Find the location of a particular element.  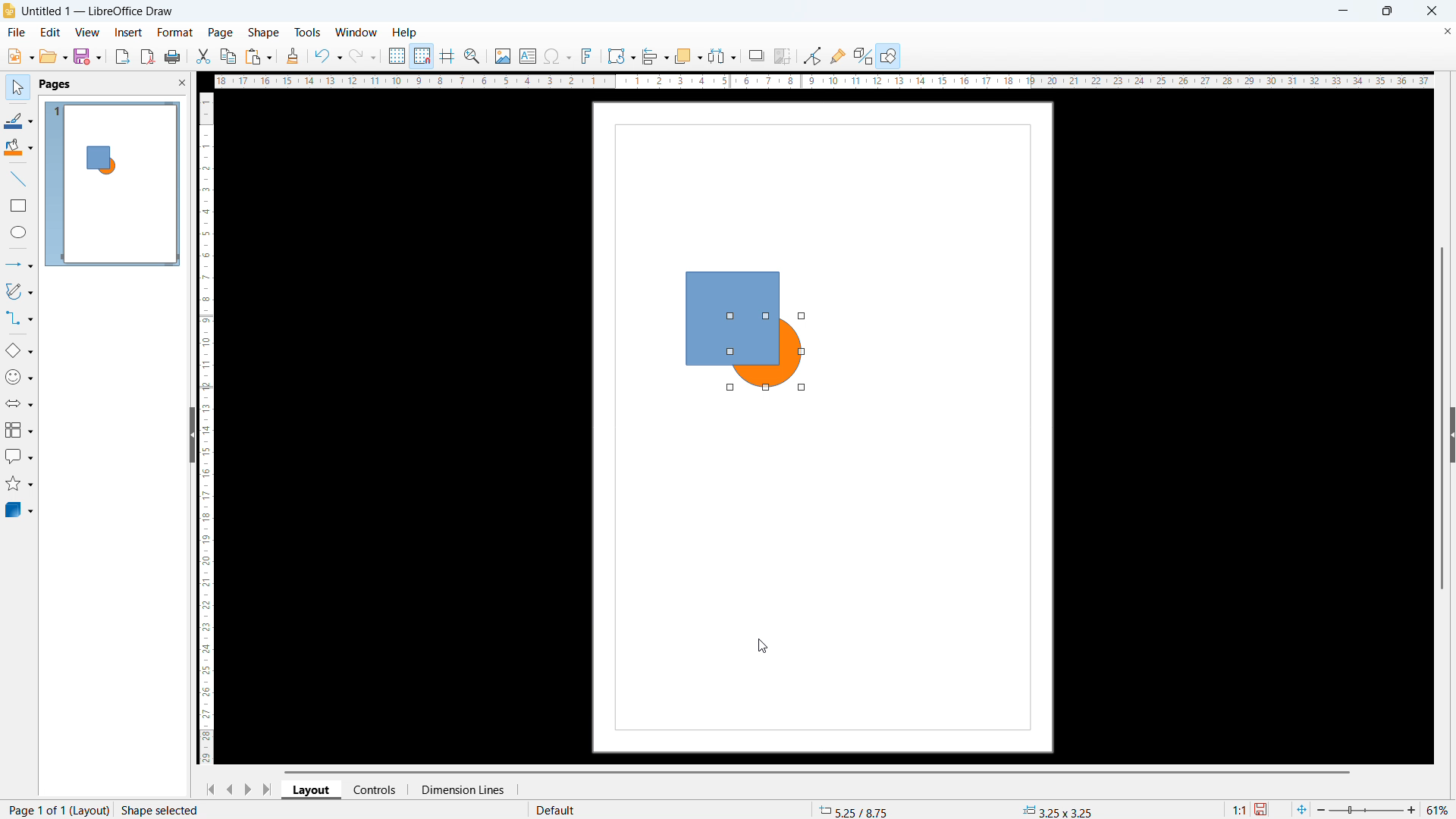

insert image is located at coordinates (502, 55).